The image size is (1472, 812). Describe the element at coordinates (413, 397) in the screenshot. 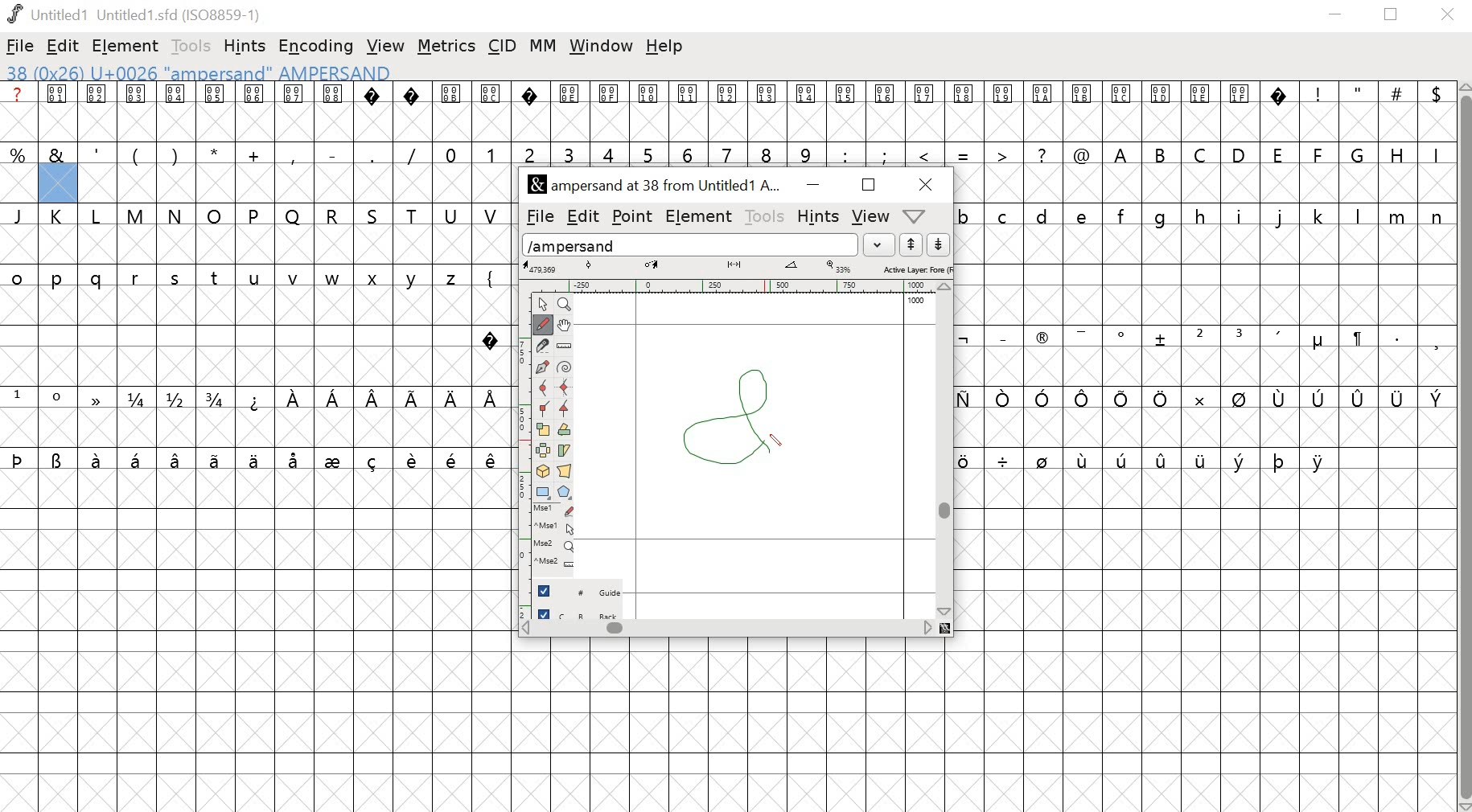

I see `symbol` at that location.